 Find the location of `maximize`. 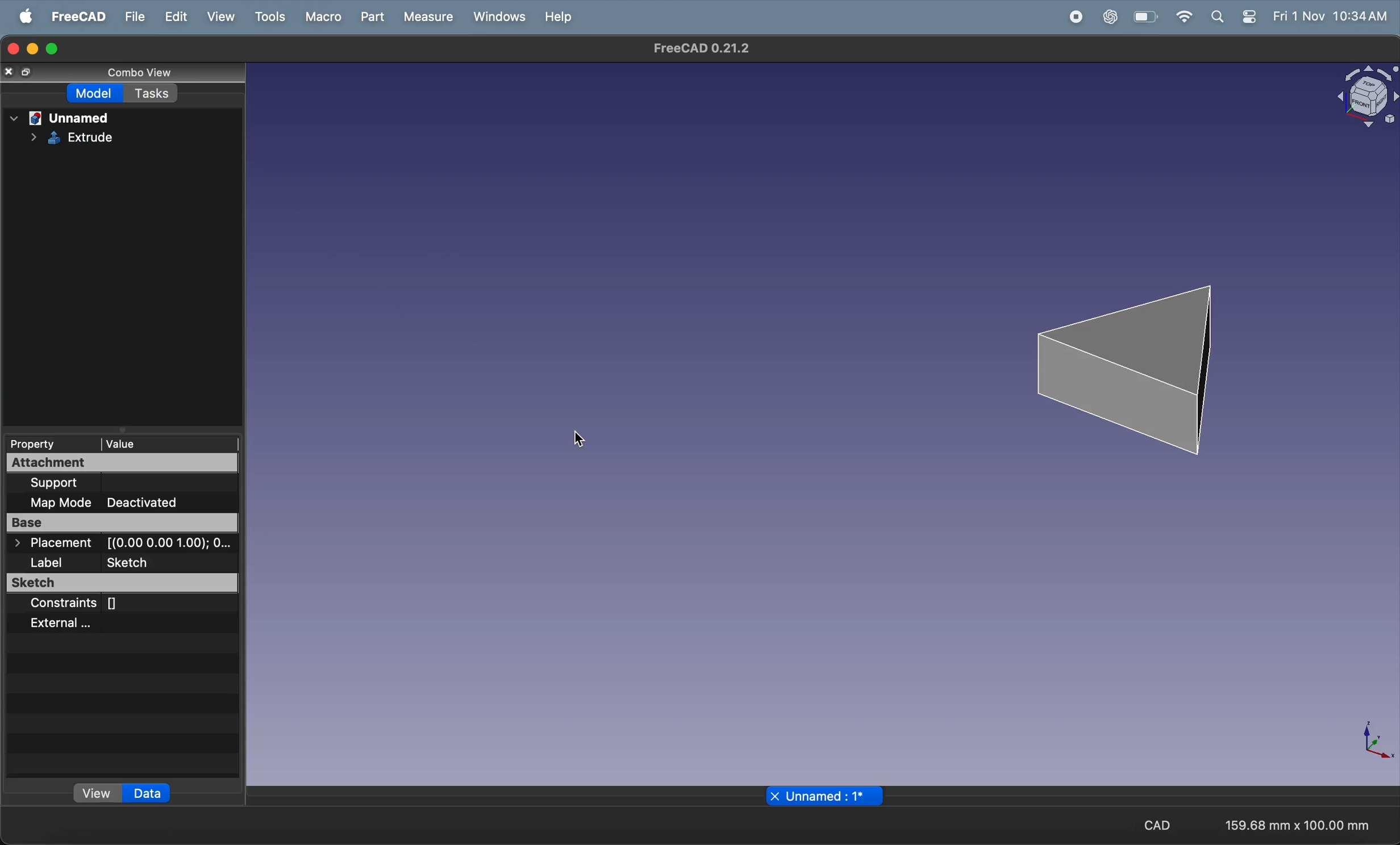

maximize is located at coordinates (53, 48).